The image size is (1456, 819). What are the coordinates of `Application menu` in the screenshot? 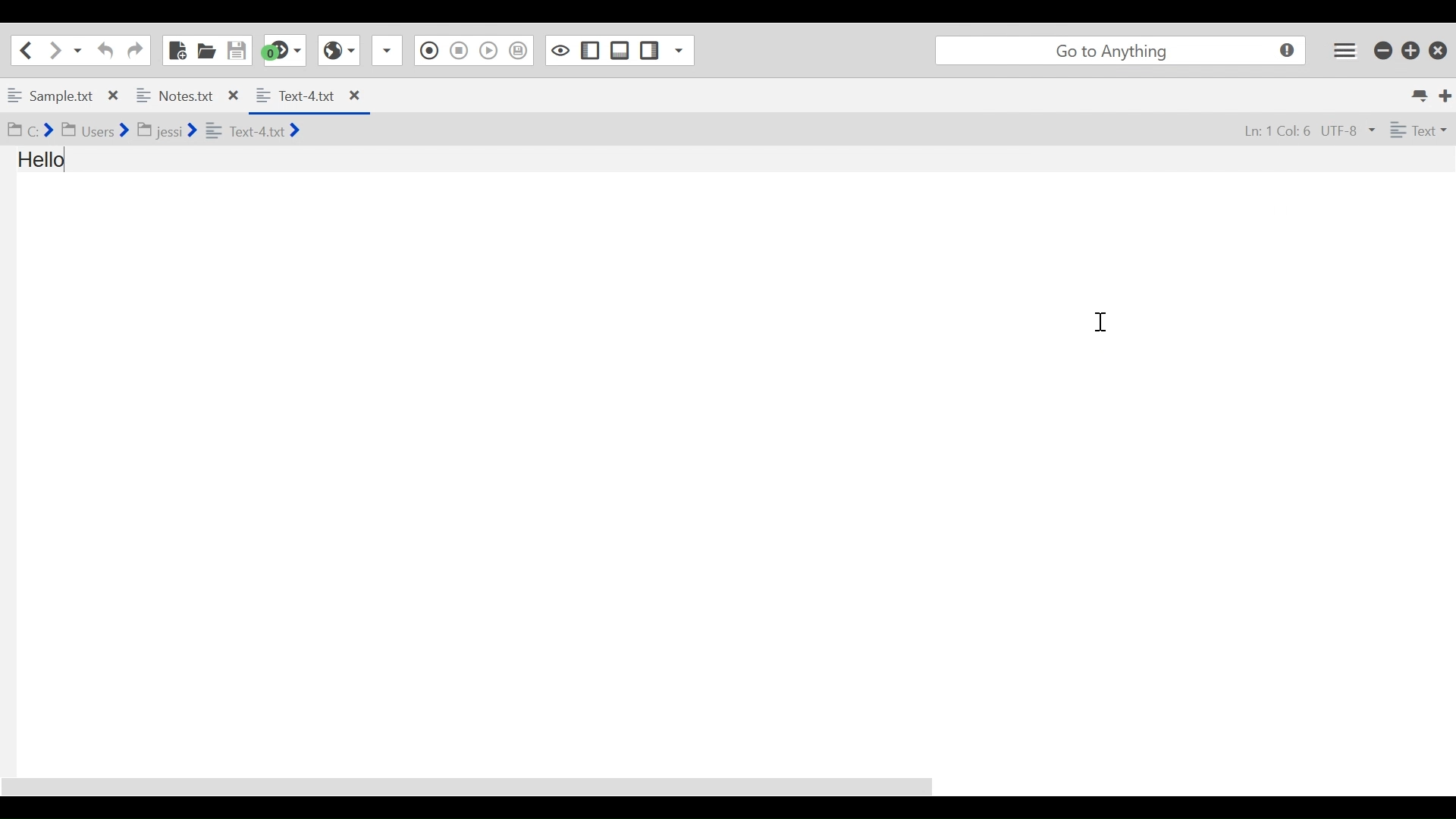 It's located at (1345, 51).